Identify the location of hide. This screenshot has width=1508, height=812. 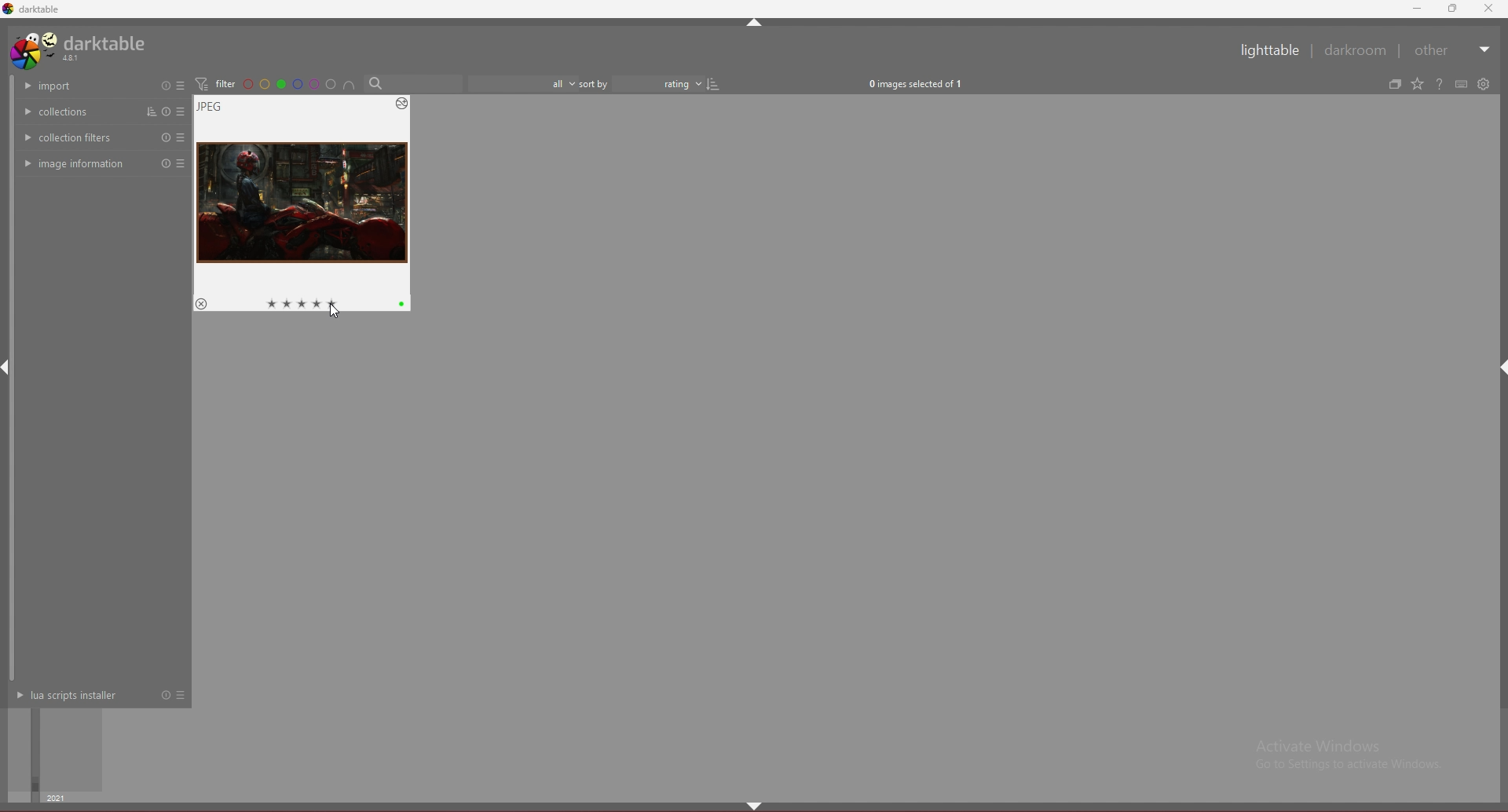
(755, 23).